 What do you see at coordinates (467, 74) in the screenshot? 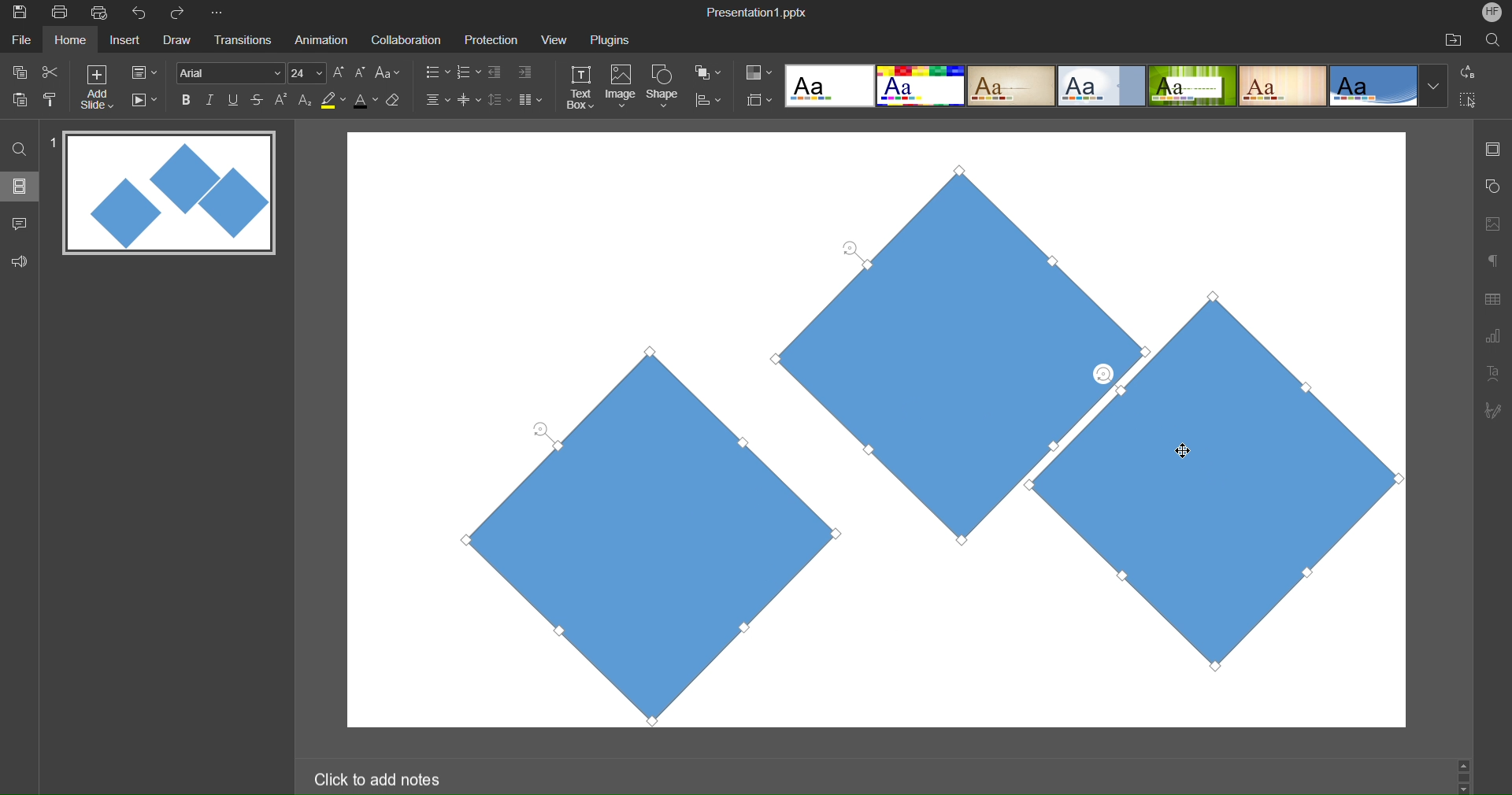
I see `Number List` at bounding box center [467, 74].